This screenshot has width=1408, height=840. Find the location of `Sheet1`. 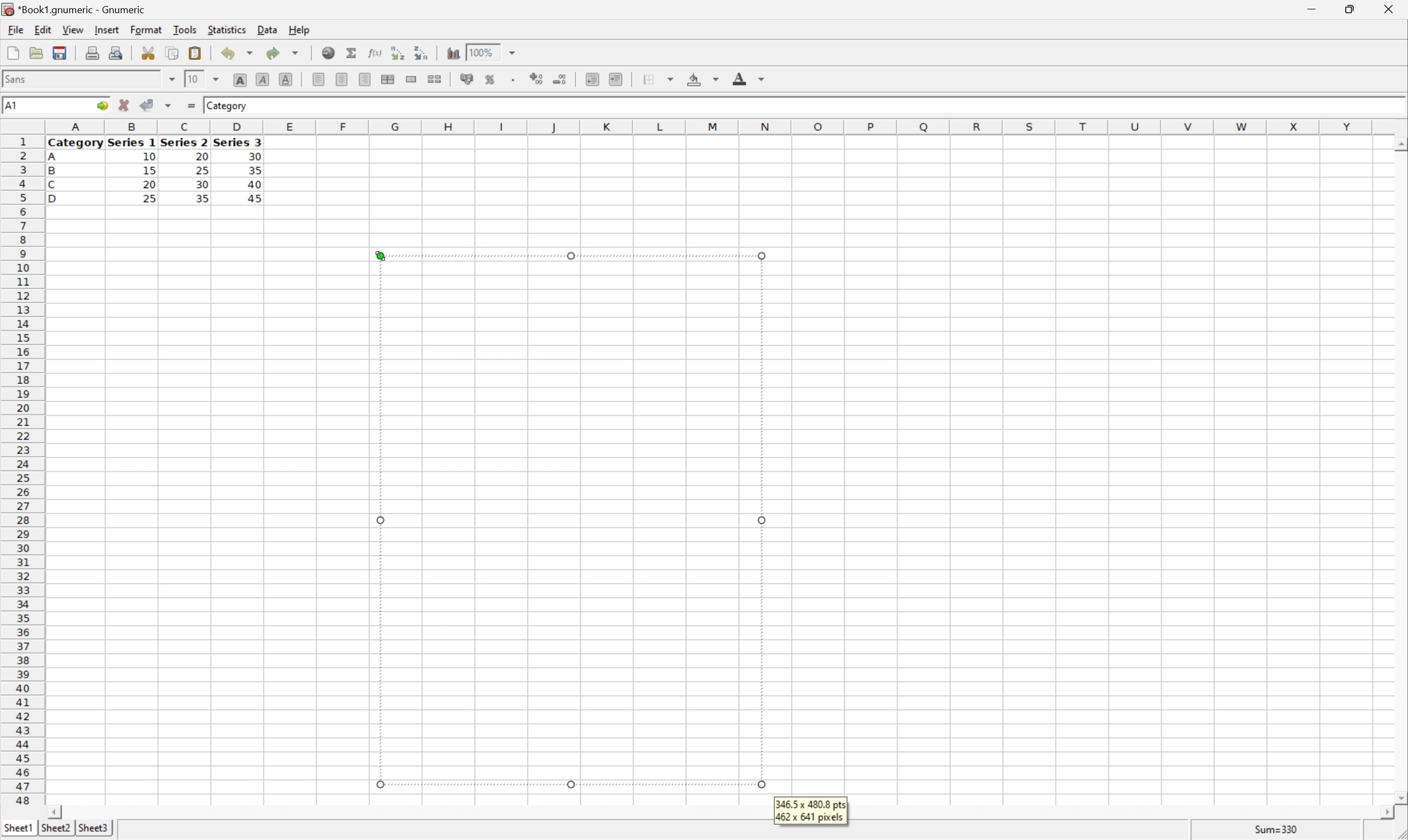

Sheet1 is located at coordinates (18, 829).